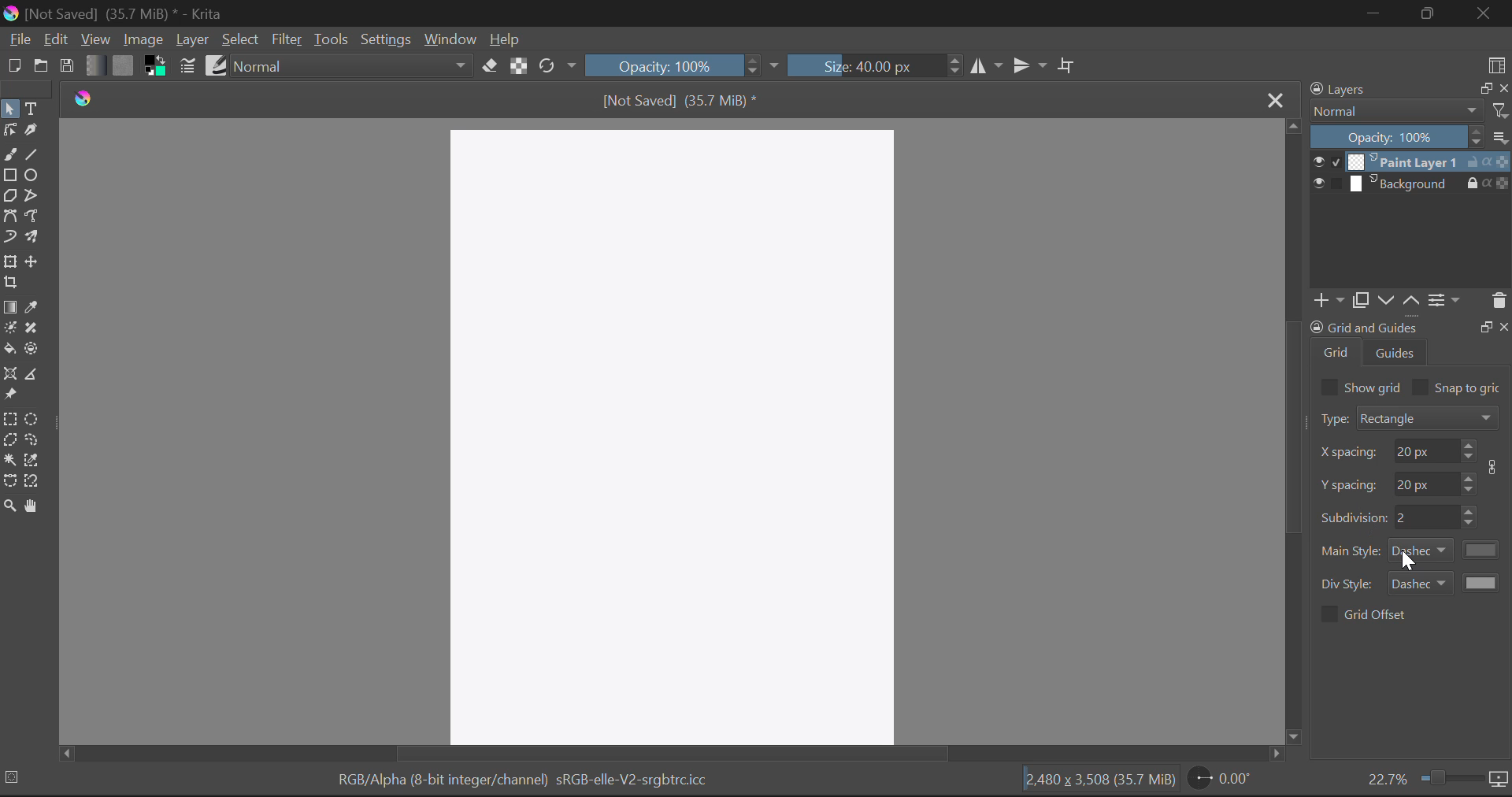 The image size is (1512, 797). Describe the element at coordinates (1384, 300) in the screenshot. I see `down` at that location.